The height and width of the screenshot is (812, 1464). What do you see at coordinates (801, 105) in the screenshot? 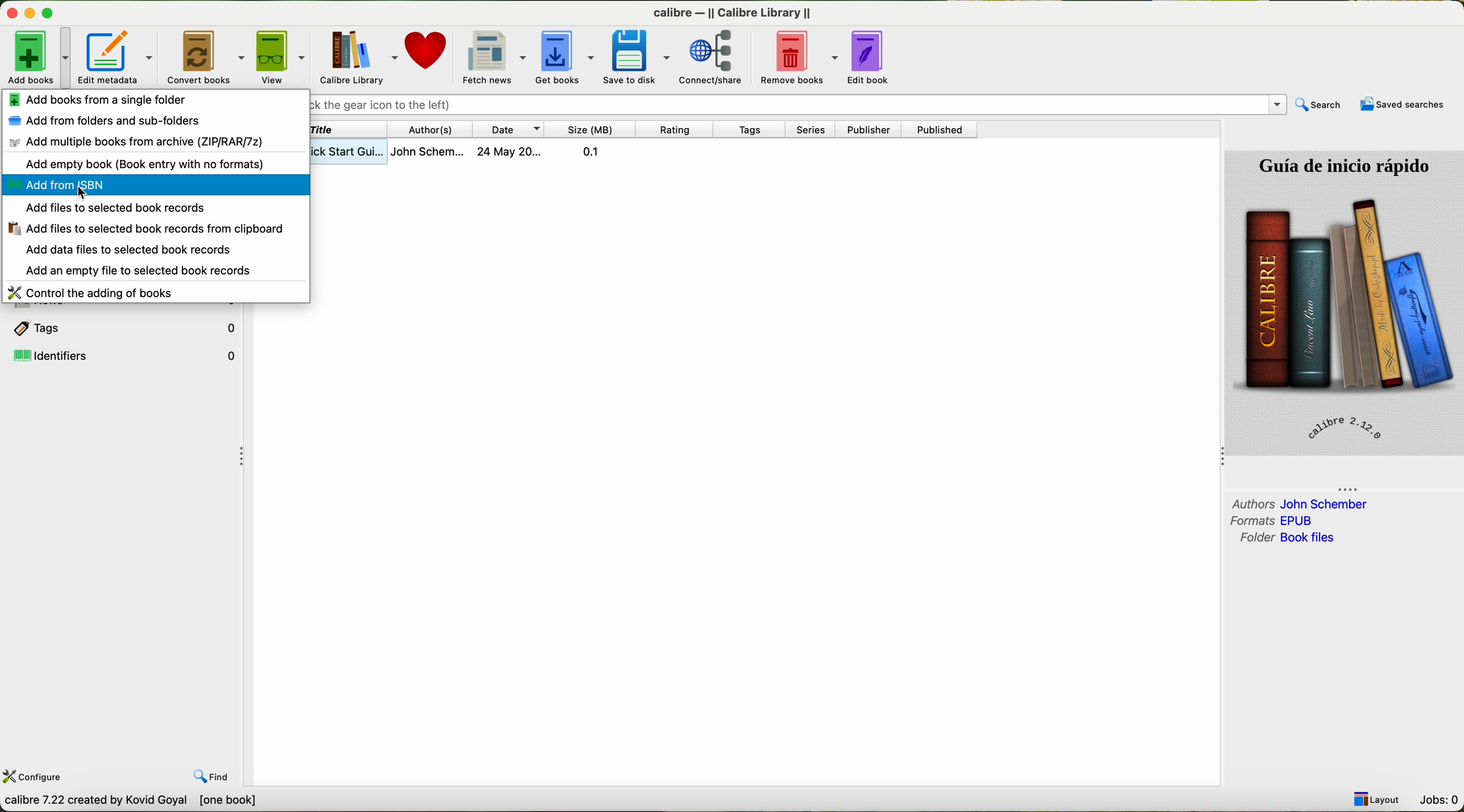
I see `searrch bar` at bounding box center [801, 105].